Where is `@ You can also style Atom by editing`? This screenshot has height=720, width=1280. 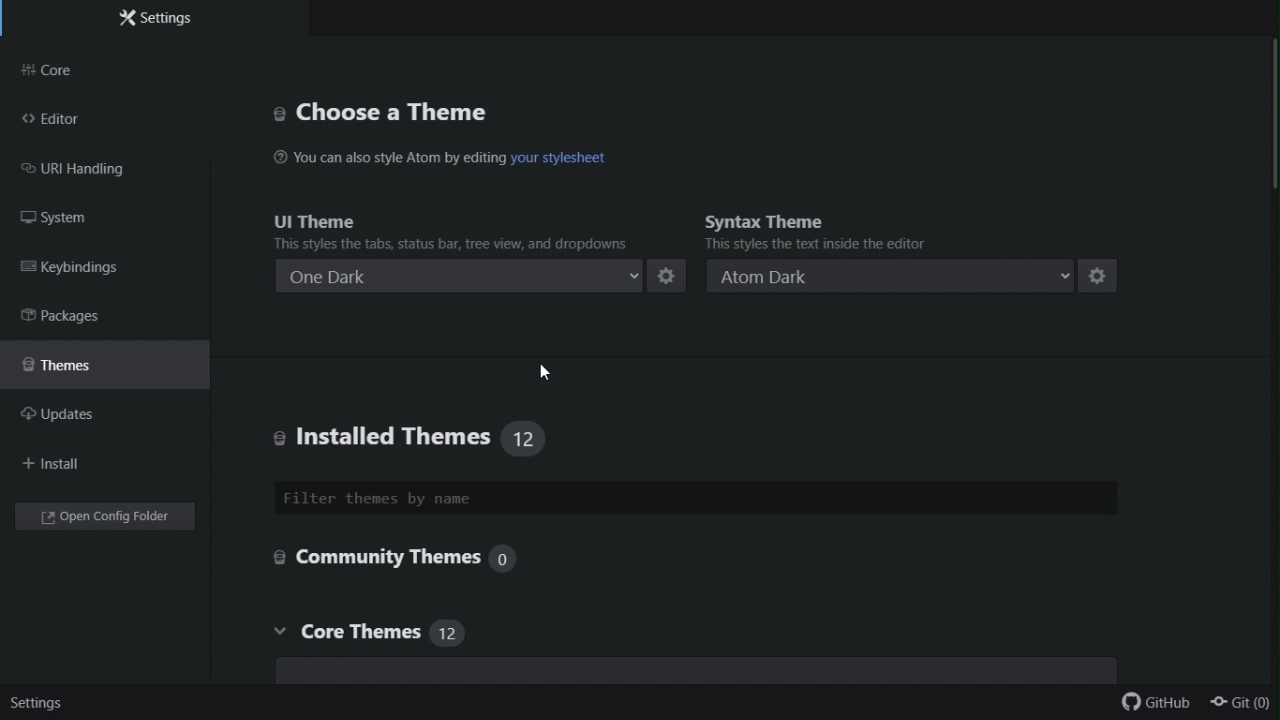 @ You can also style Atom by editing is located at coordinates (389, 159).